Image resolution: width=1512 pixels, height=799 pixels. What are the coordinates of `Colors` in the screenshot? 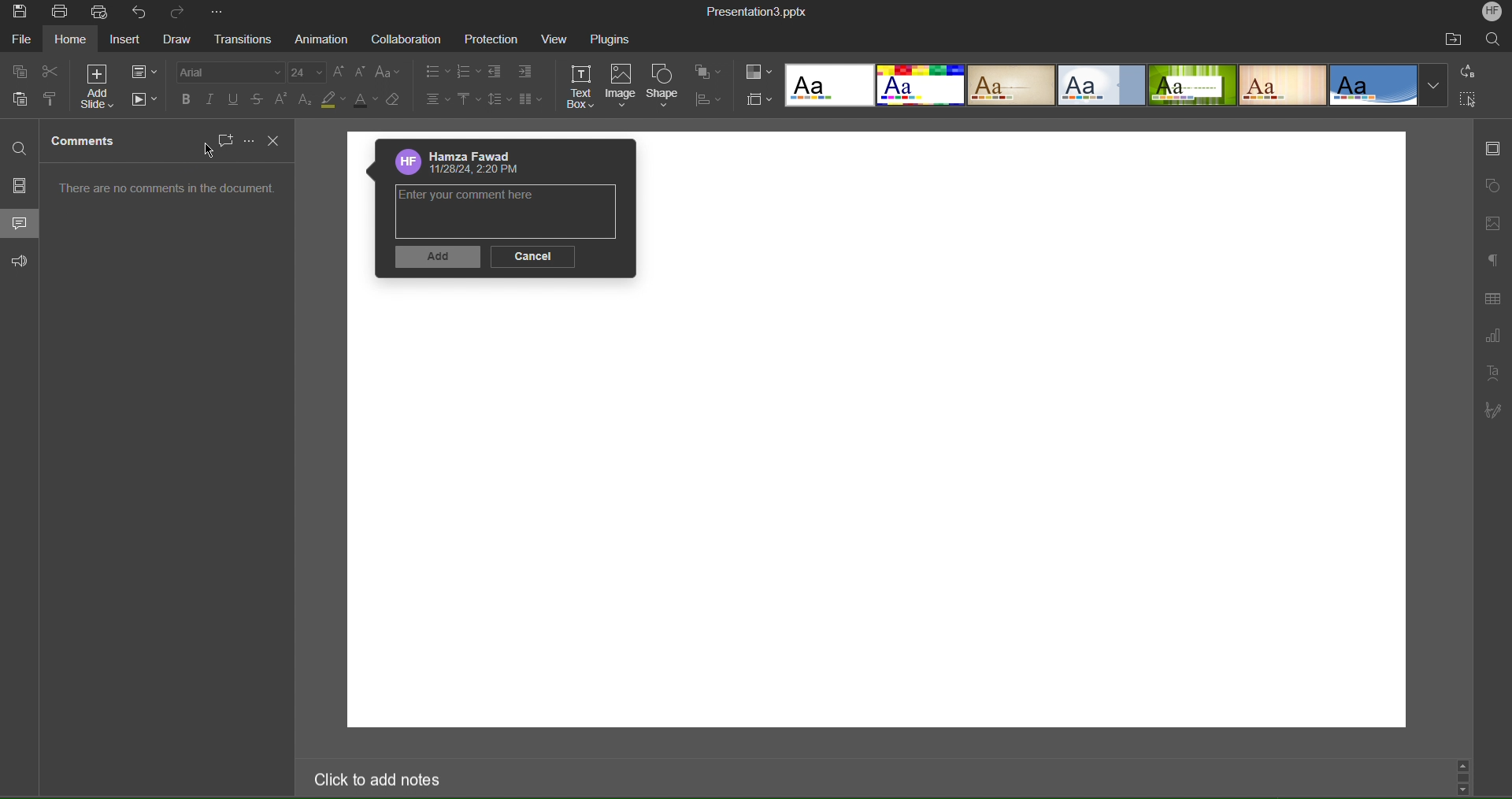 It's located at (758, 72).